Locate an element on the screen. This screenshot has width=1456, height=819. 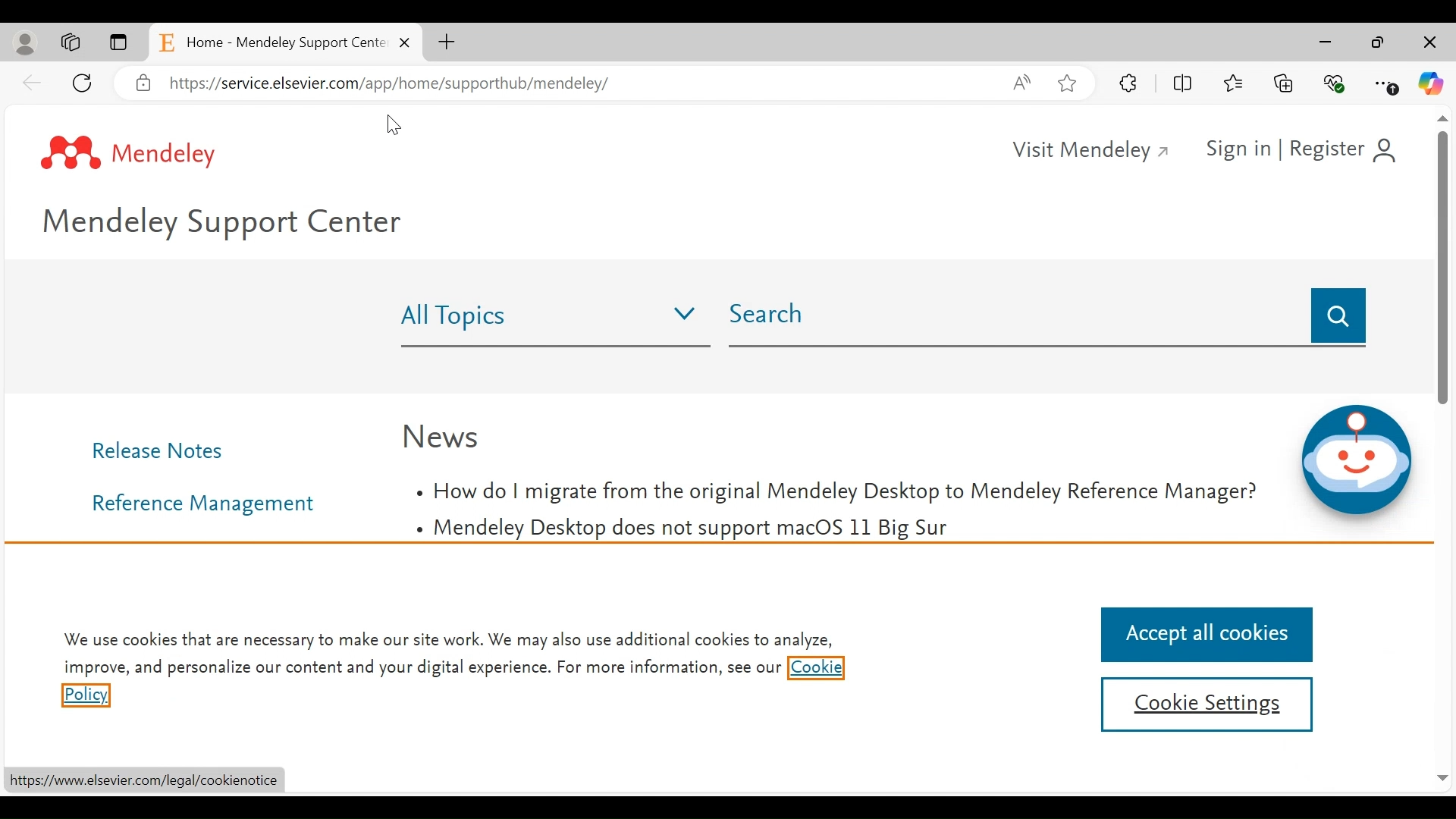
Cookie Settings is located at coordinates (1205, 705).